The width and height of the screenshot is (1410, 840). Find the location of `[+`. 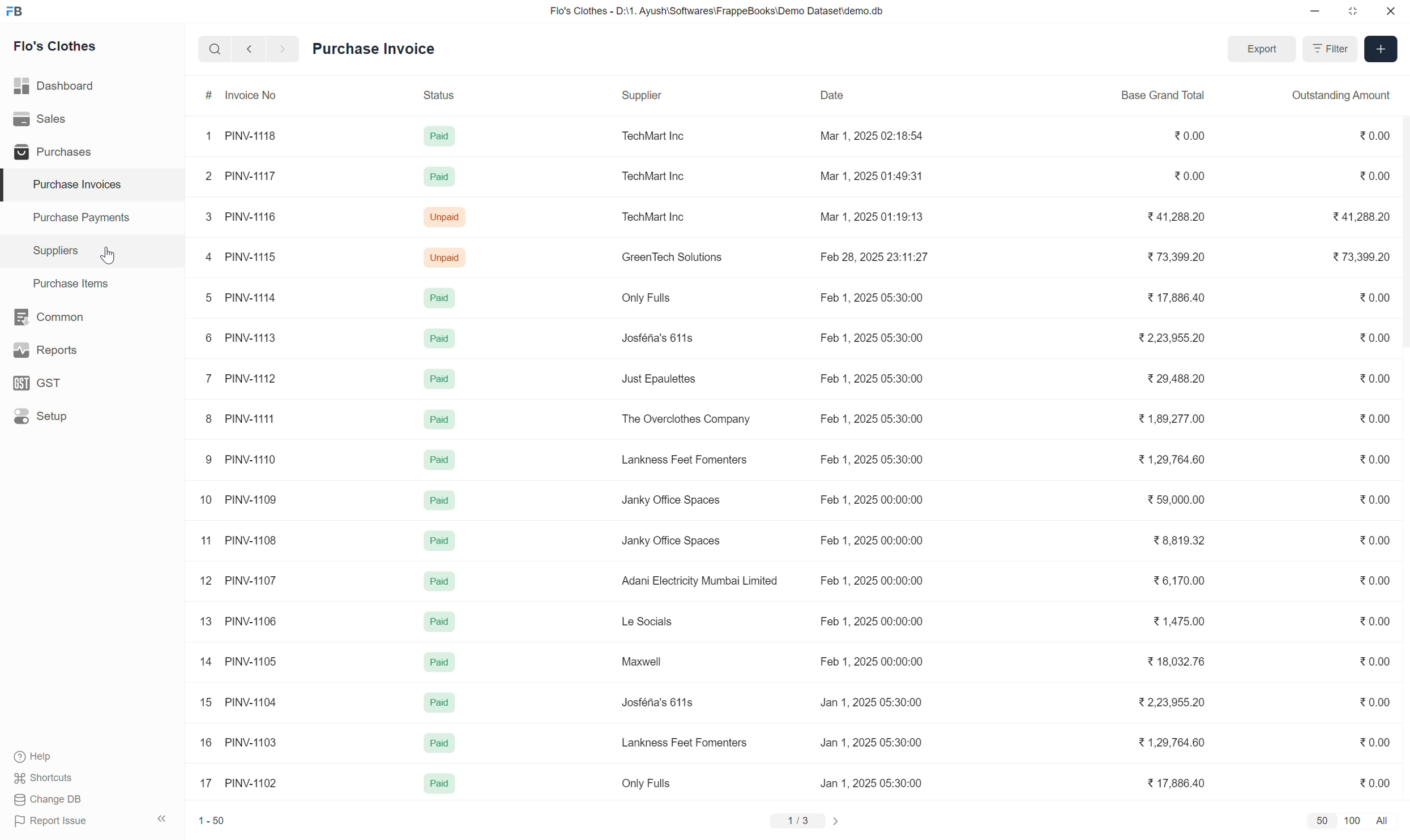

[+ is located at coordinates (1381, 47).